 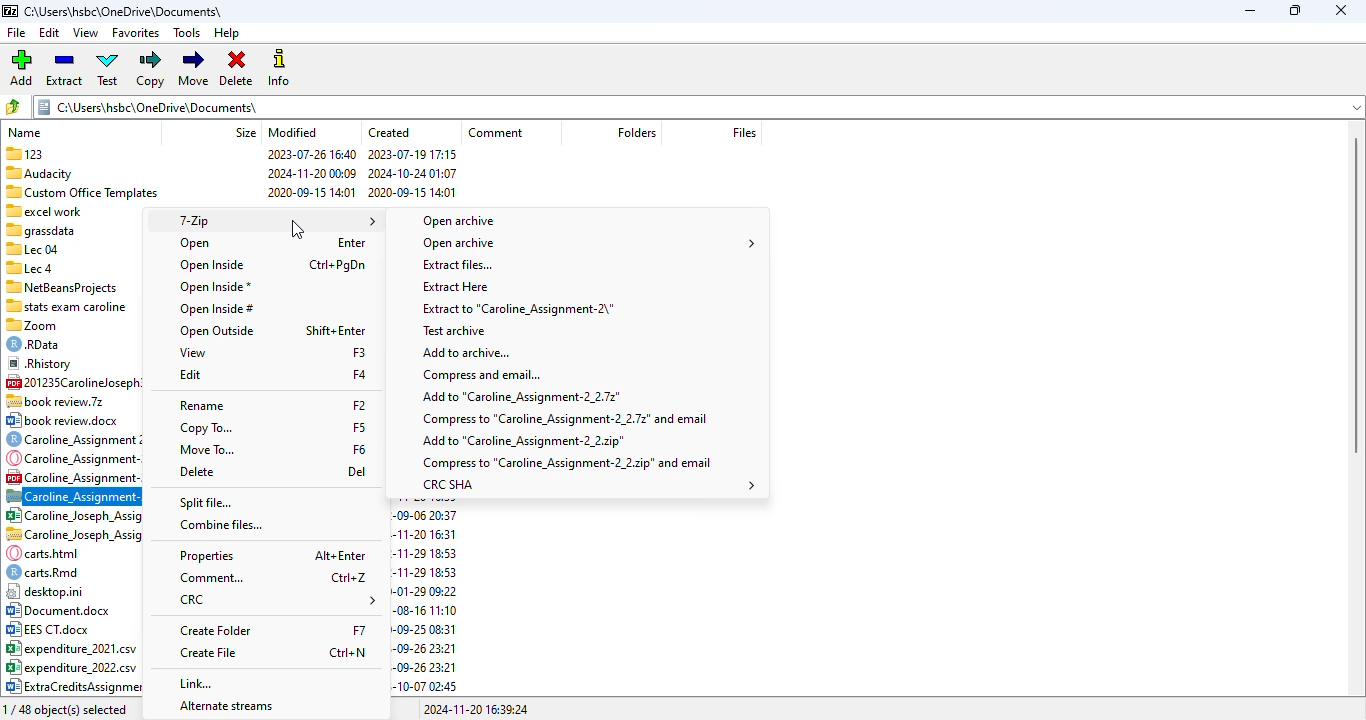 I want to click on CRC SHA, so click(x=590, y=485).